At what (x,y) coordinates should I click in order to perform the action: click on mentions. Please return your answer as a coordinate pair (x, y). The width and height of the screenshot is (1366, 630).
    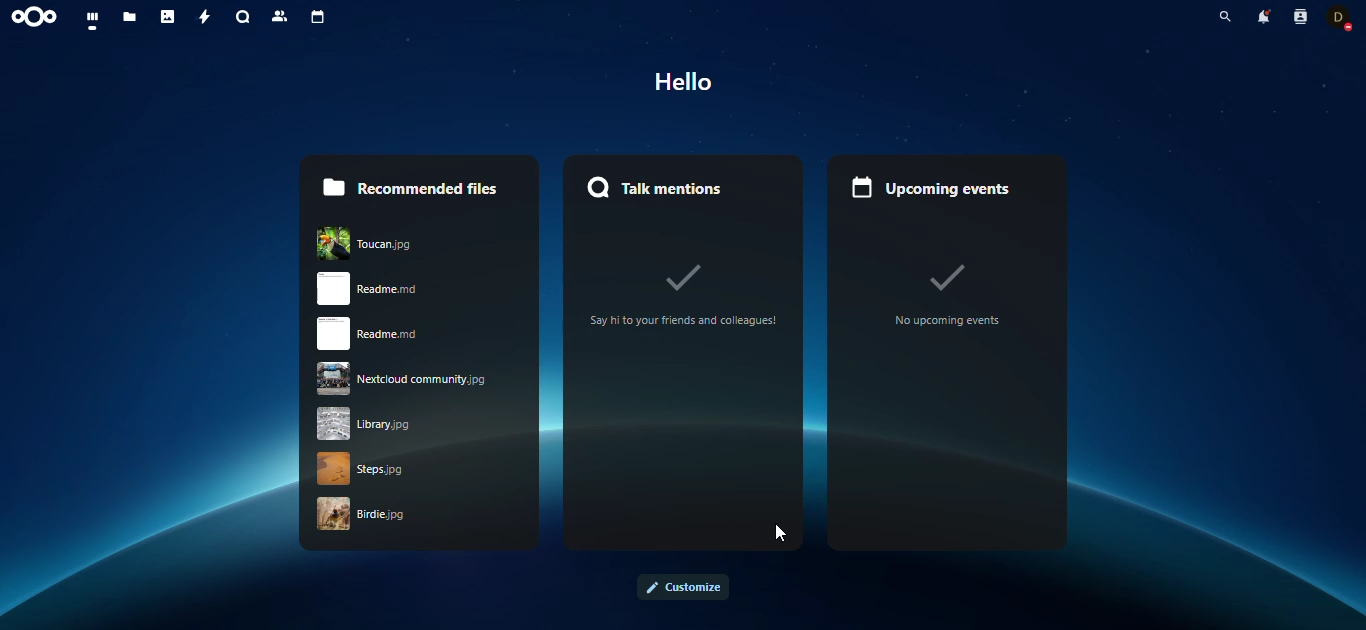
    Looking at the image, I should click on (672, 186).